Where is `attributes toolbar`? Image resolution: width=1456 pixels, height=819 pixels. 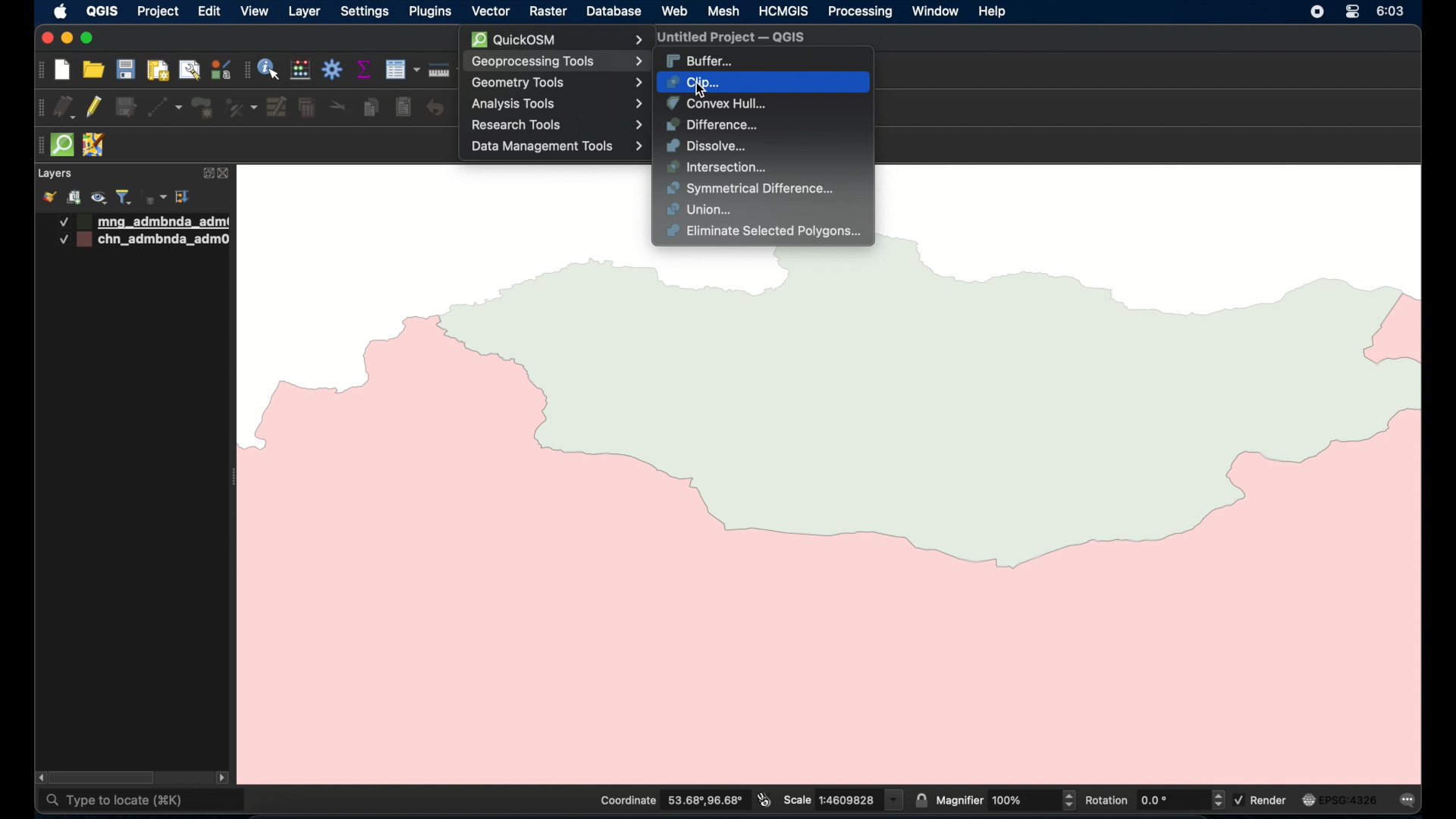
attributes toolbar is located at coordinates (246, 71).